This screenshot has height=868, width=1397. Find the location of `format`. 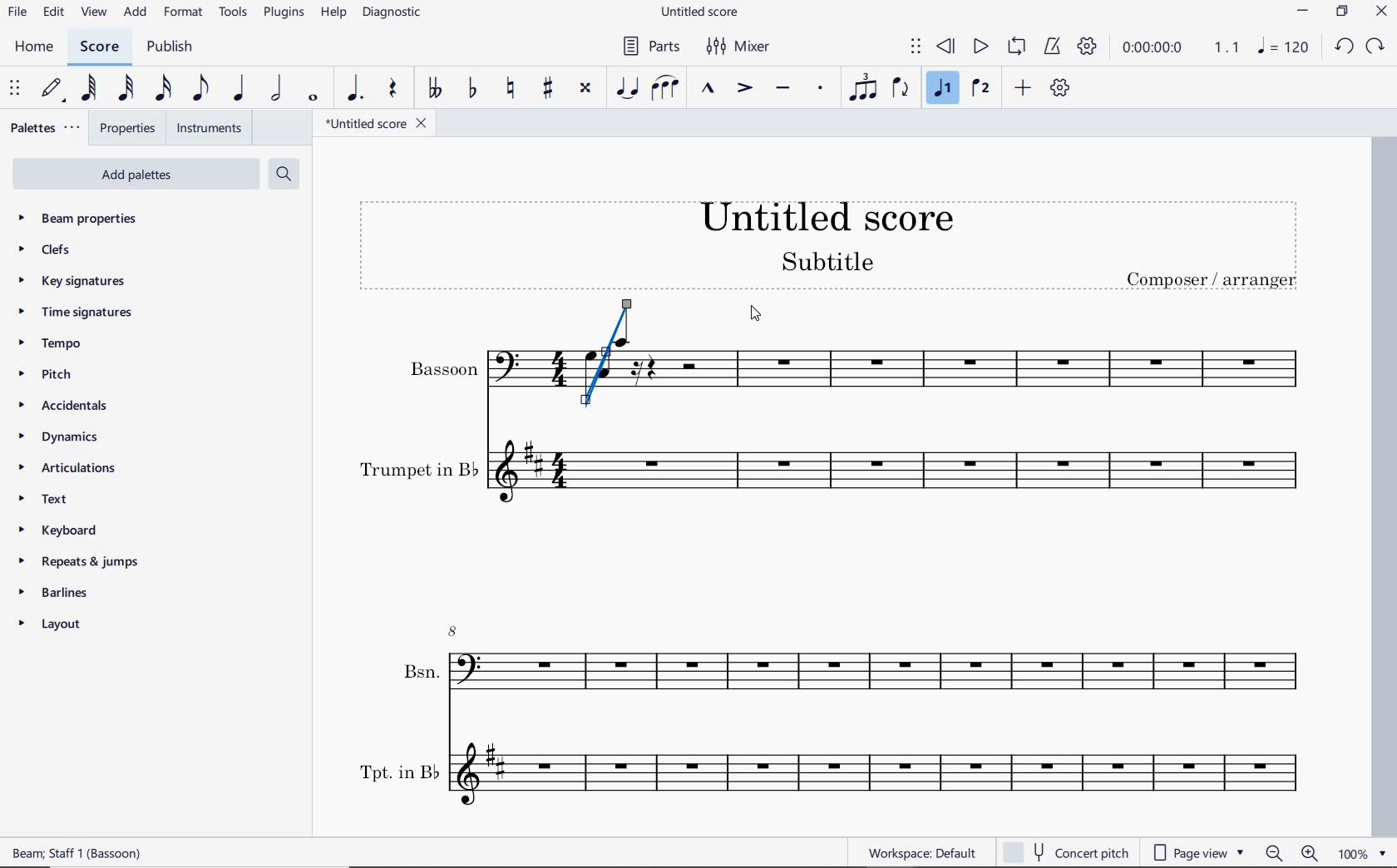

format is located at coordinates (185, 13).